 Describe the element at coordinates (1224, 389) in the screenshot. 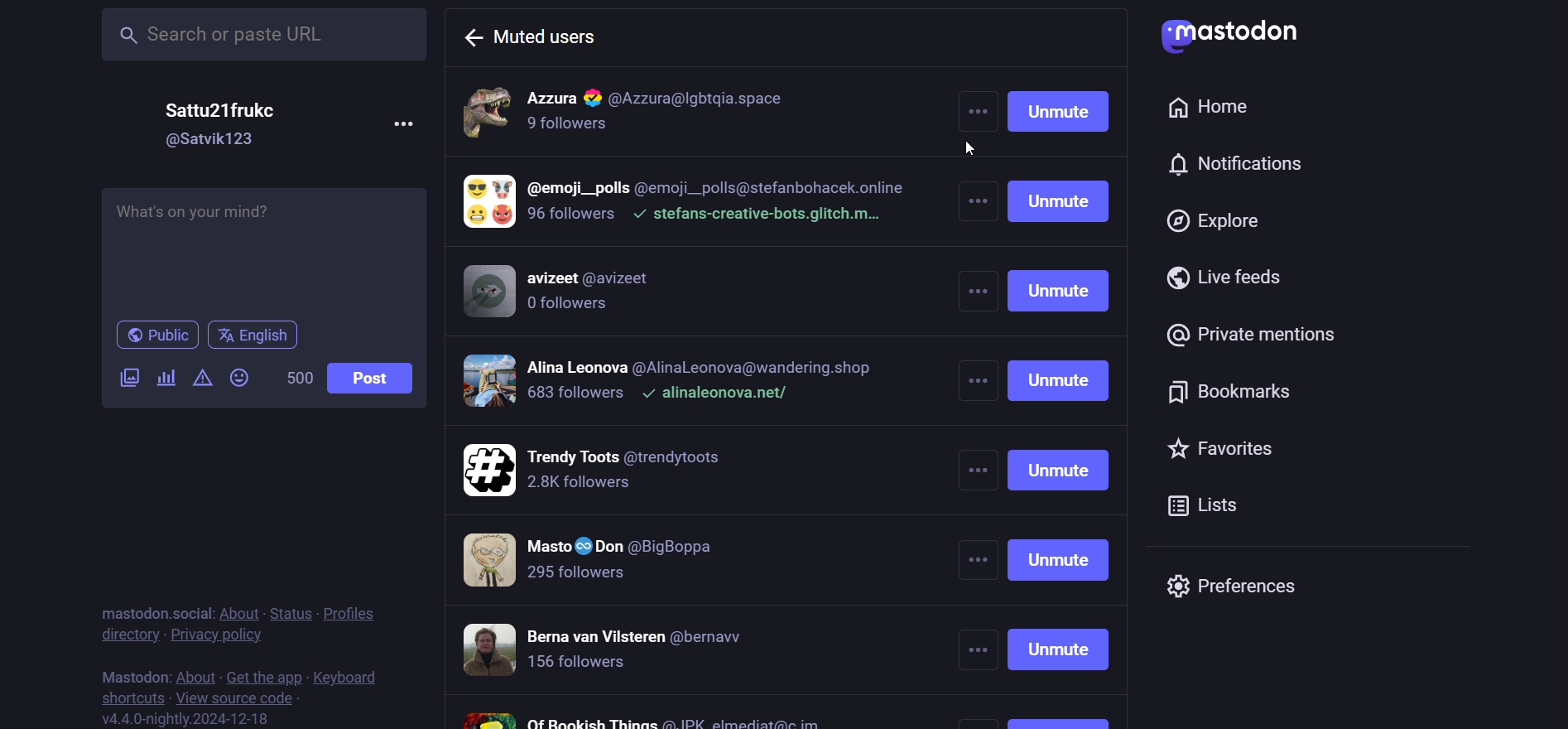

I see `bookmark` at that location.